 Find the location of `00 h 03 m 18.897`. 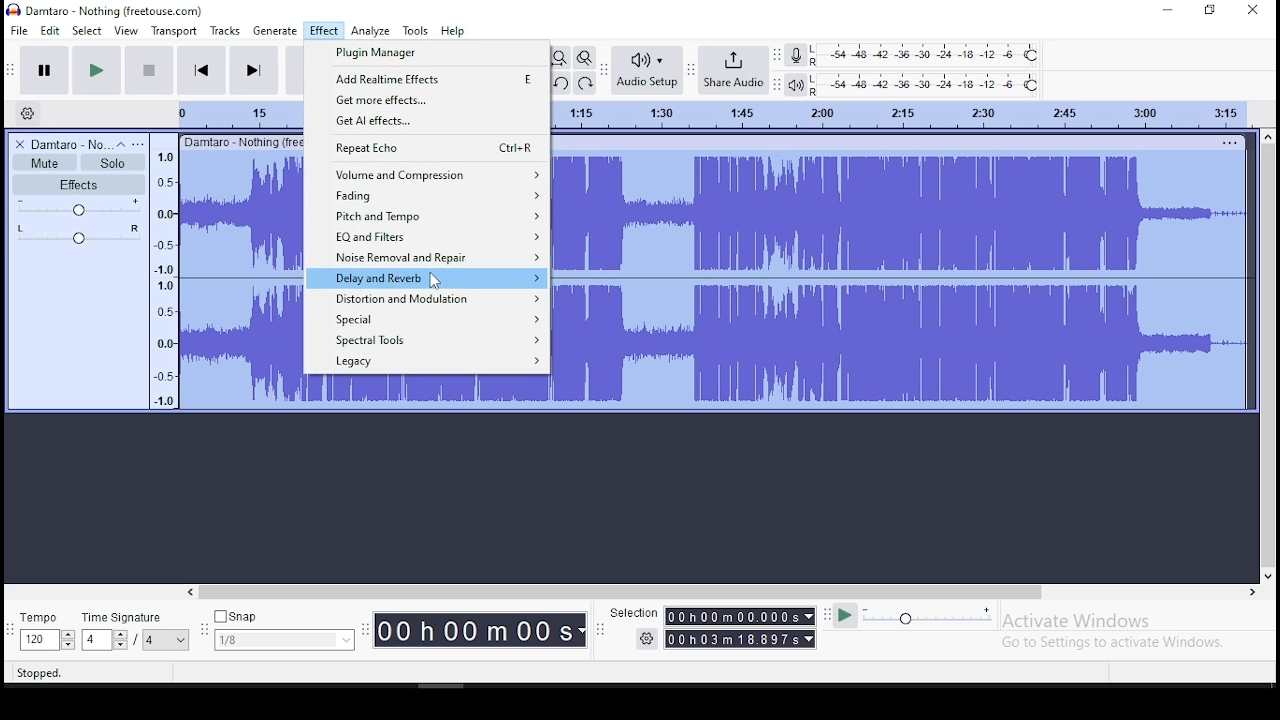

00 h 03 m 18.897 is located at coordinates (732, 639).